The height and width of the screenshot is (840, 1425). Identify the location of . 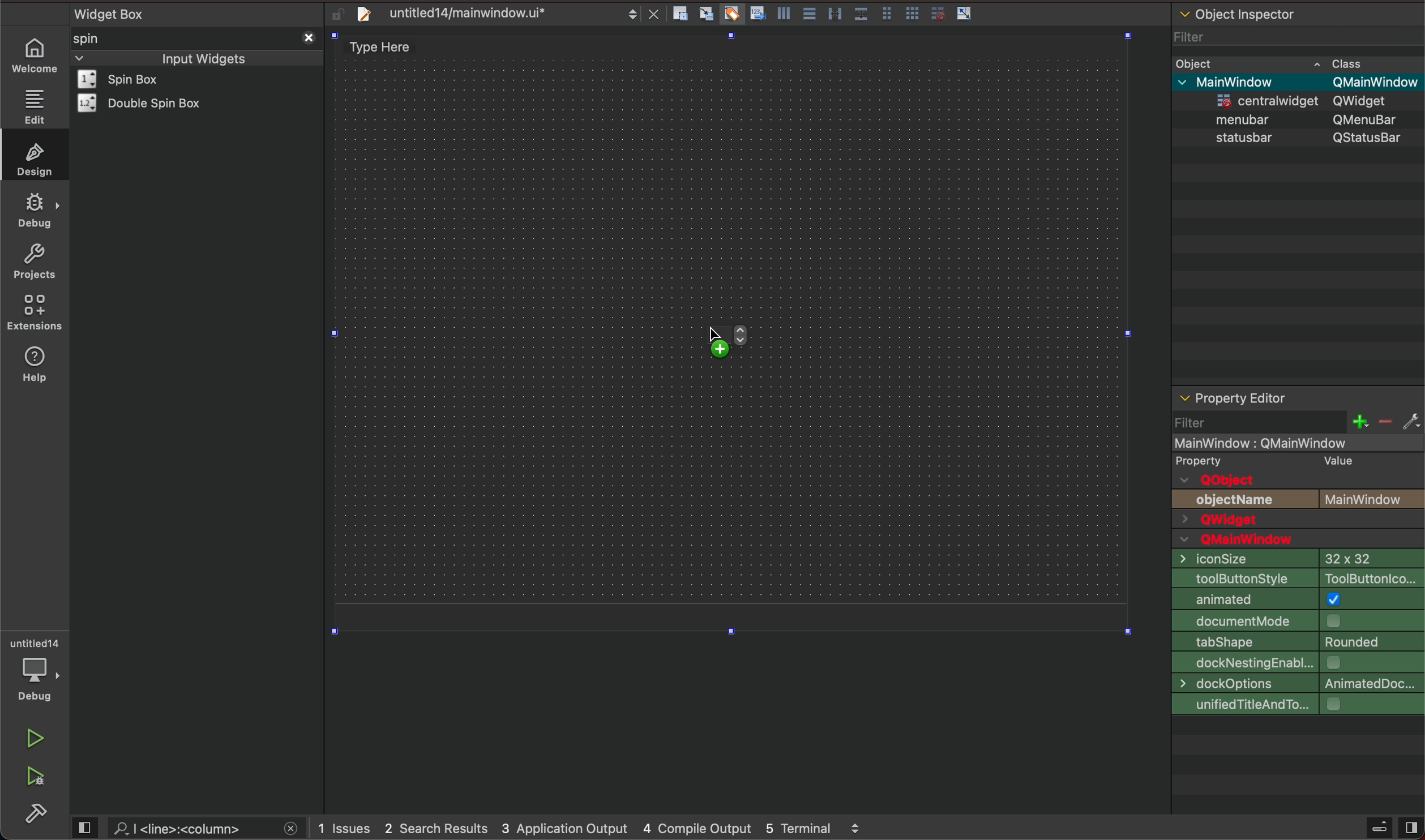
(1374, 82).